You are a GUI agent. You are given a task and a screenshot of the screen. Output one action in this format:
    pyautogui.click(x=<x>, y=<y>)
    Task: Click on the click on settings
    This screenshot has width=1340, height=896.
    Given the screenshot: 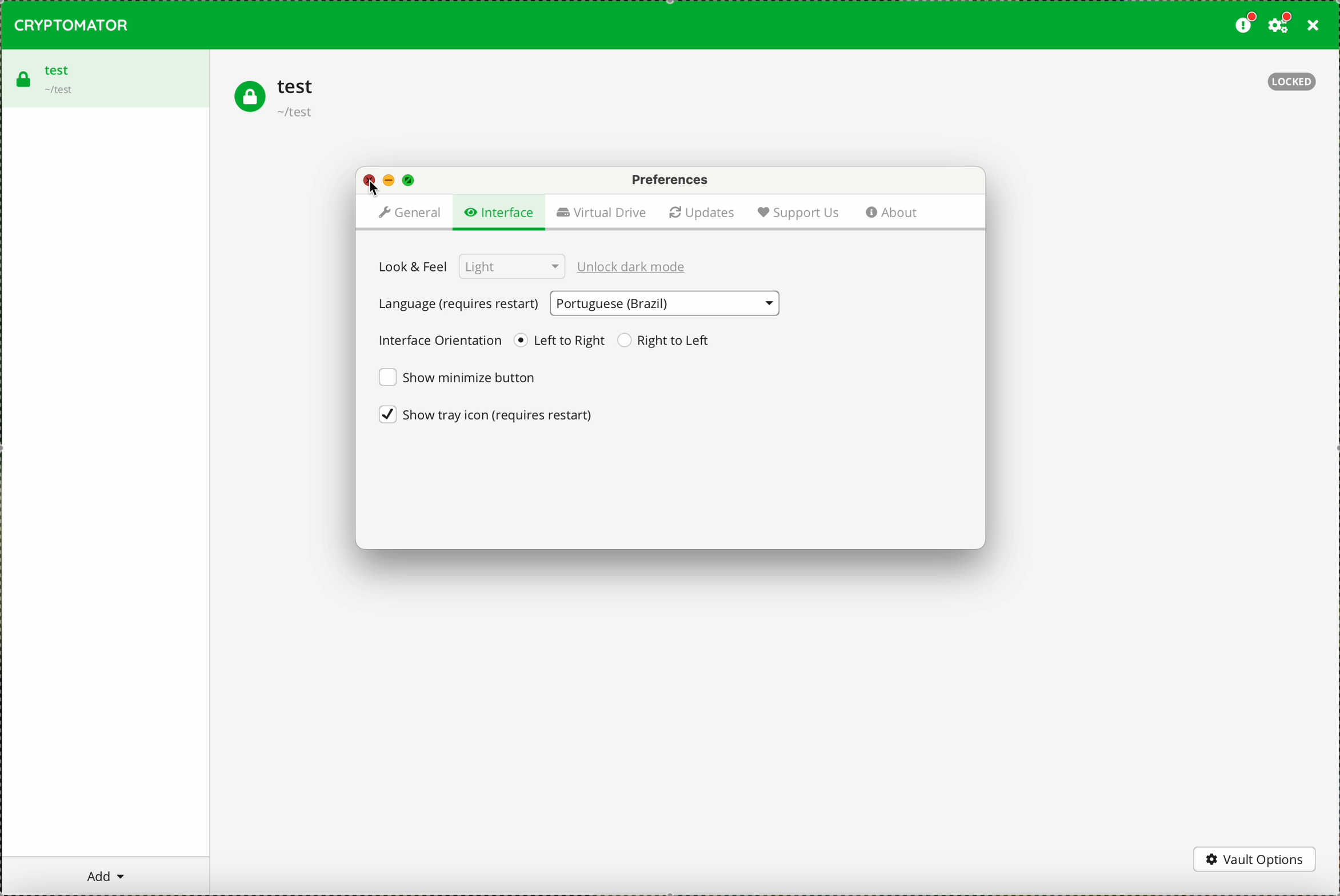 What is the action you would take?
    pyautogui.click(x=1281, y=26)
    